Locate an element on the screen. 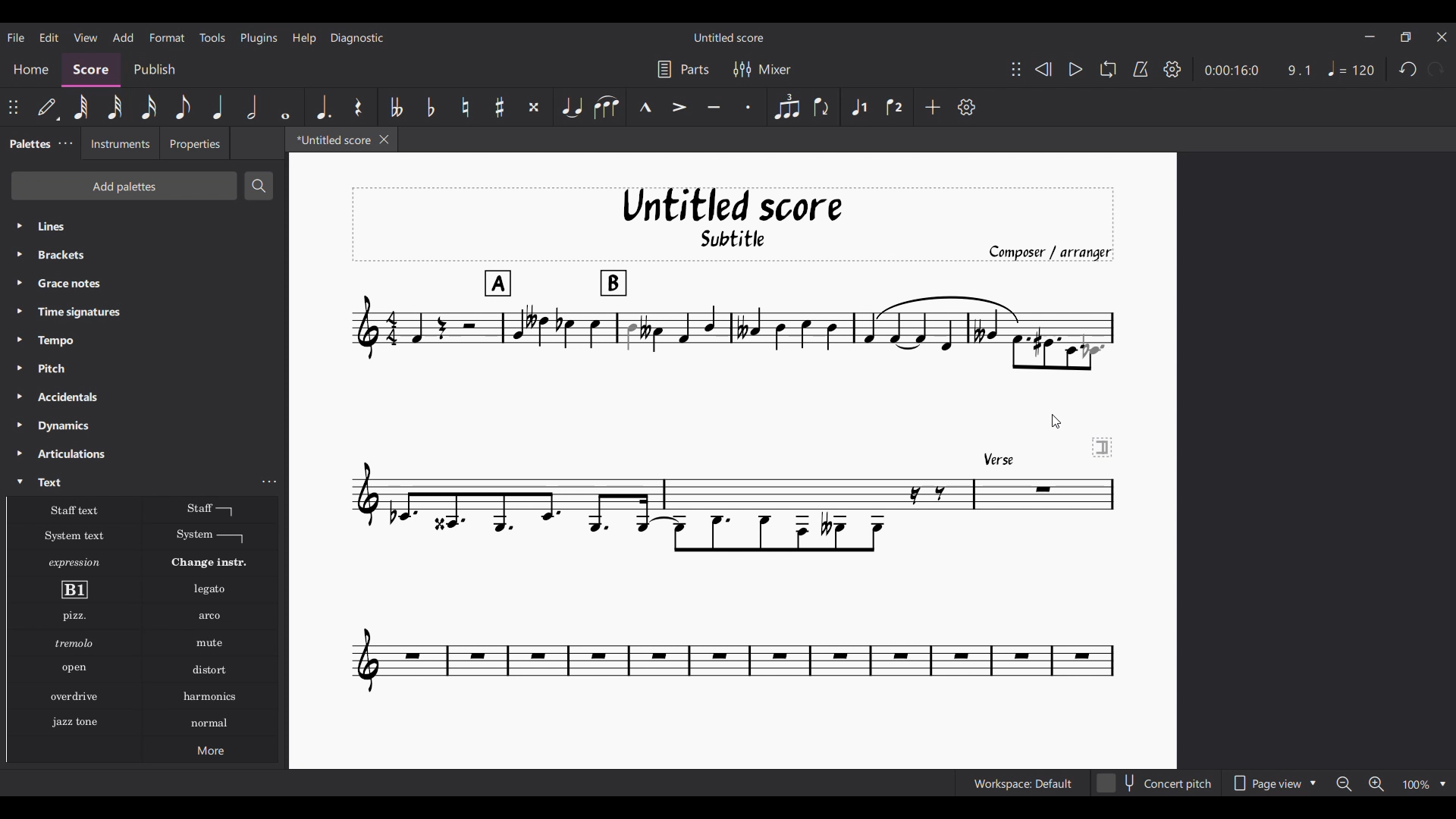 This screenshot has height=819, width=1456. 32nd note is located at coordinates (115, 107).